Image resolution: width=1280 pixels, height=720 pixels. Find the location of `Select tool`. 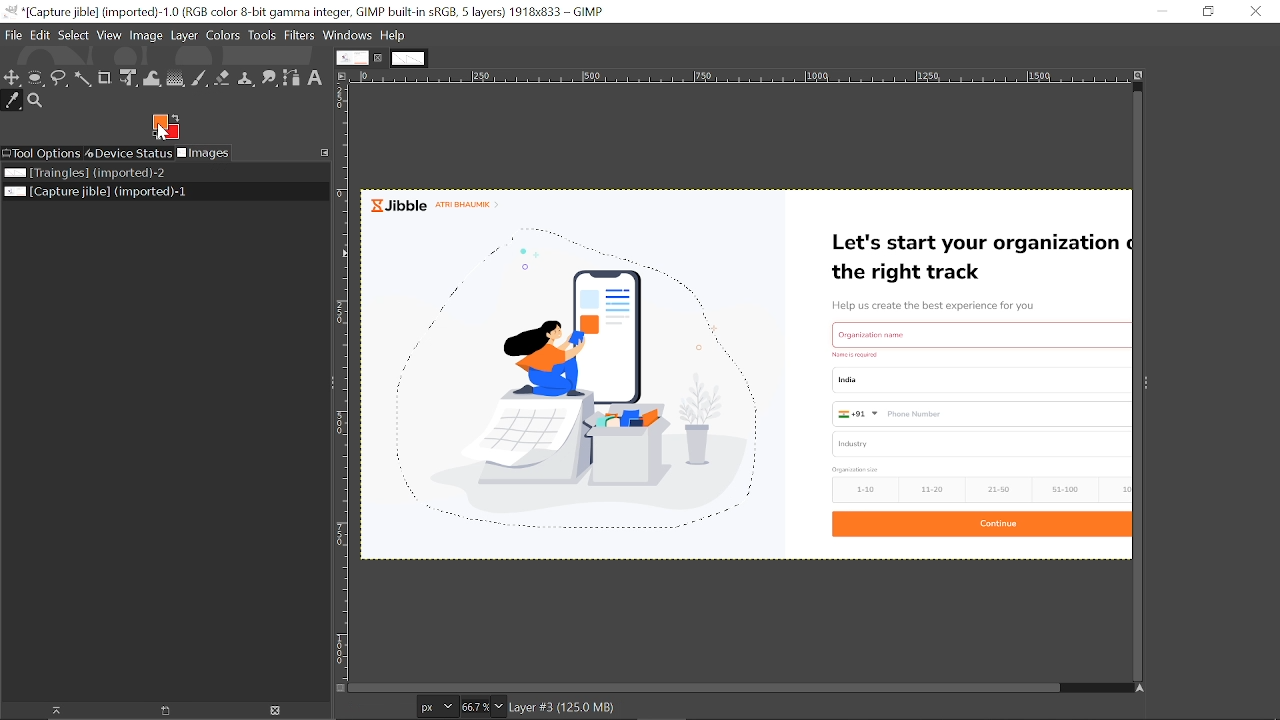

Select tool is located at coordinates (59, 77).